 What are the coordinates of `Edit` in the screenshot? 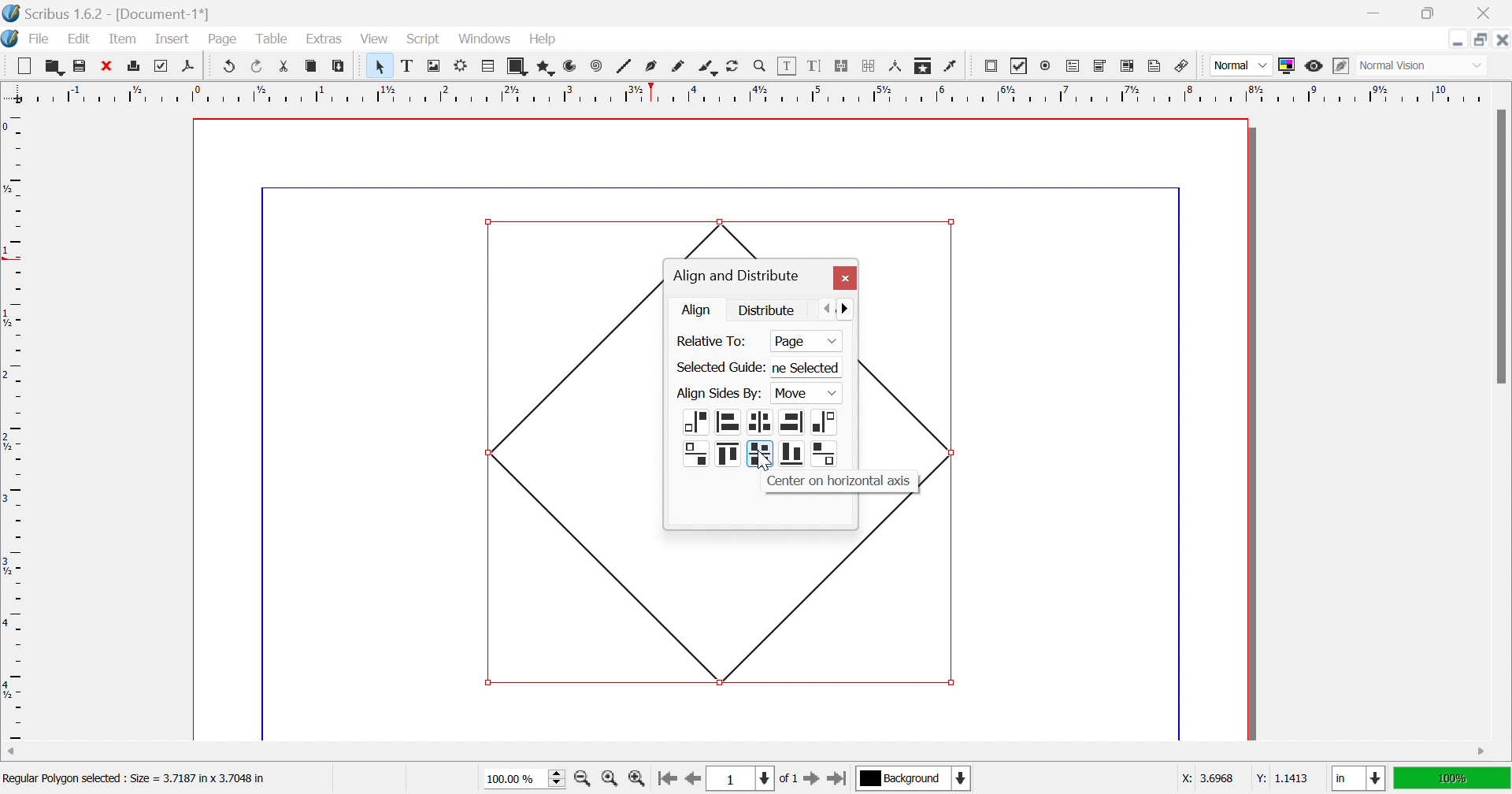 It's located at (83, 40).